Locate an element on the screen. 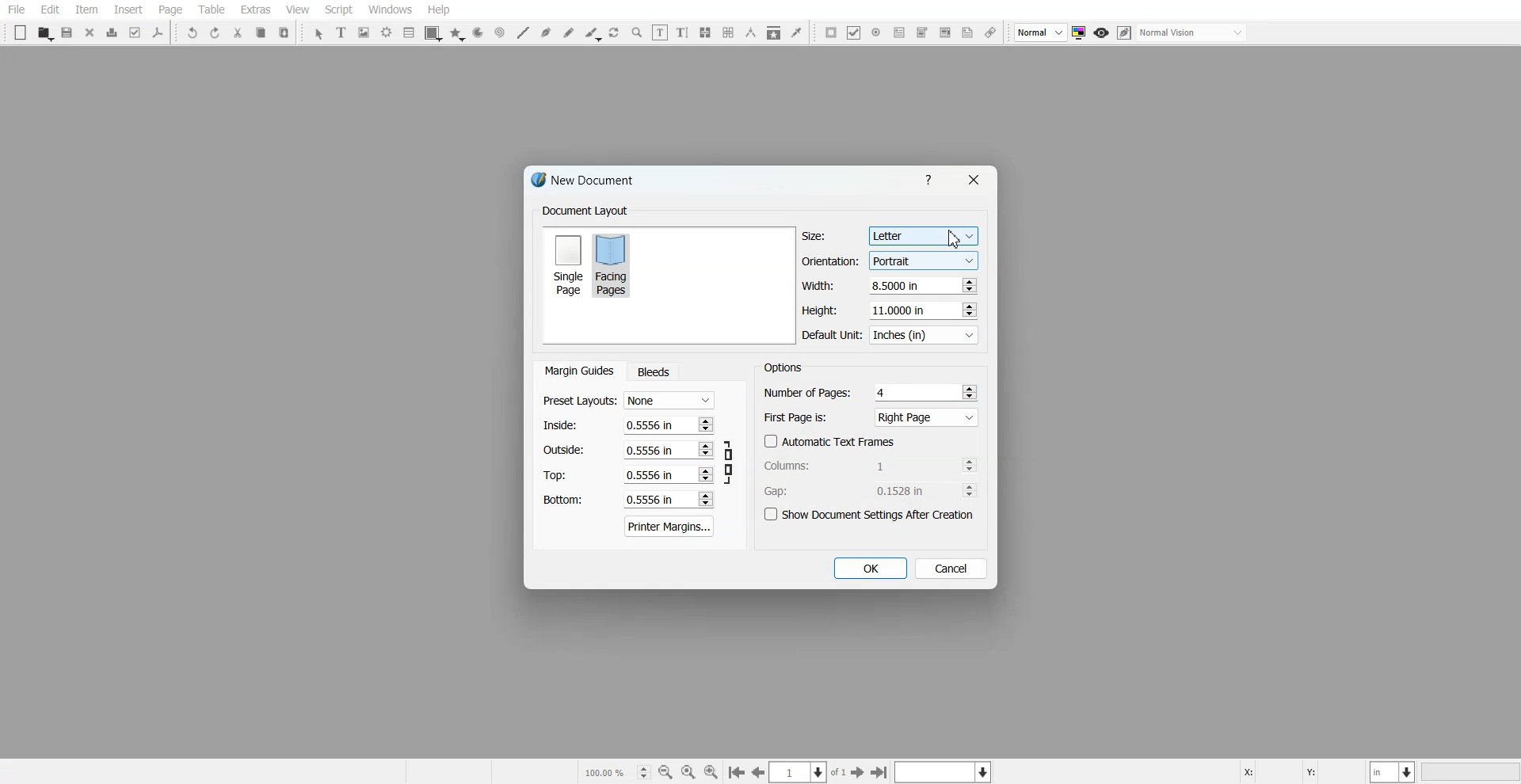 Image resolution: width=1521 pixels, height=784 pixels. Zoom Out is located at coordinates (665, 772).